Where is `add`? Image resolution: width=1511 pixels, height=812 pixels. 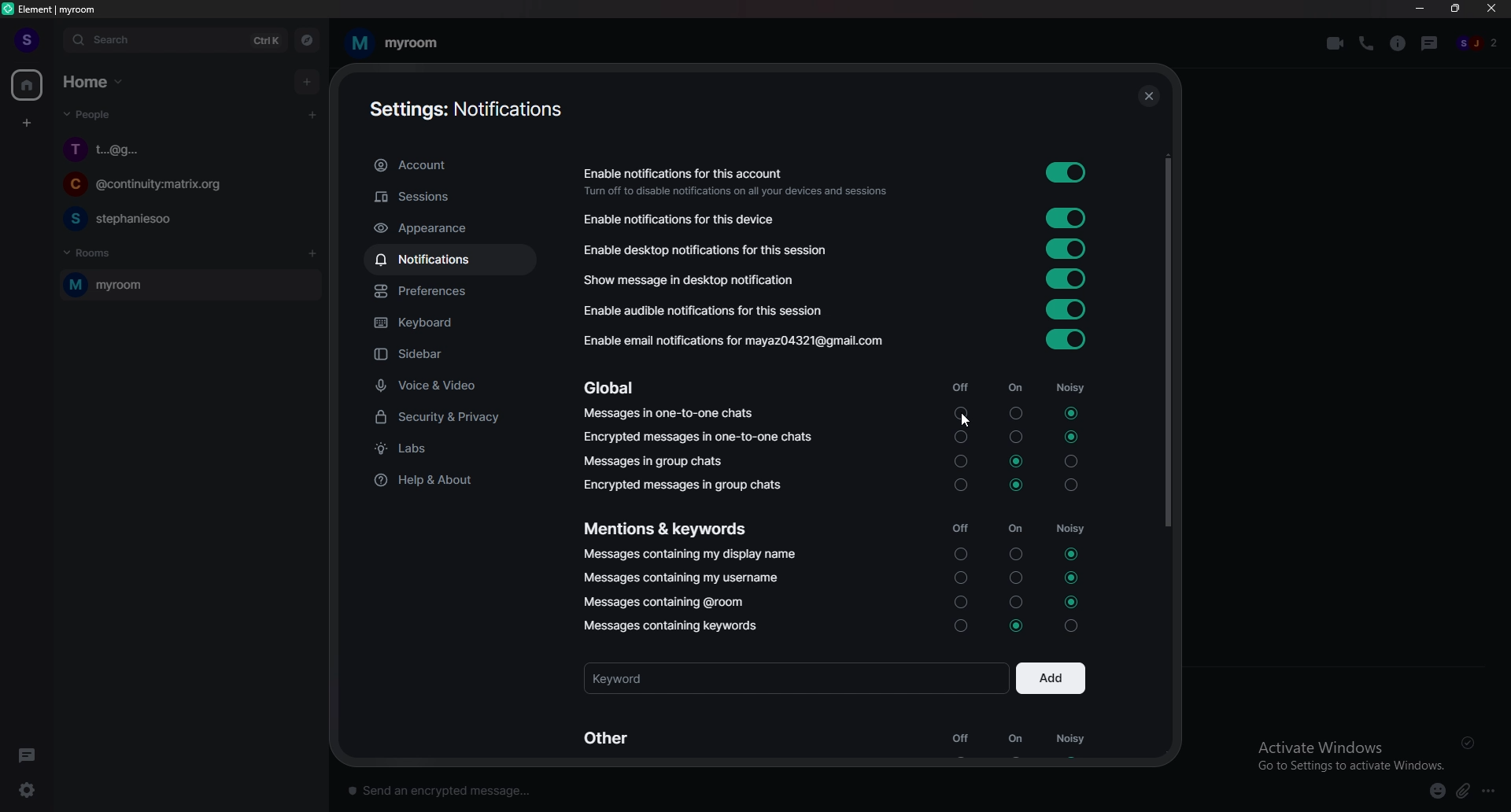
add is located at coordinates (1051, 677).